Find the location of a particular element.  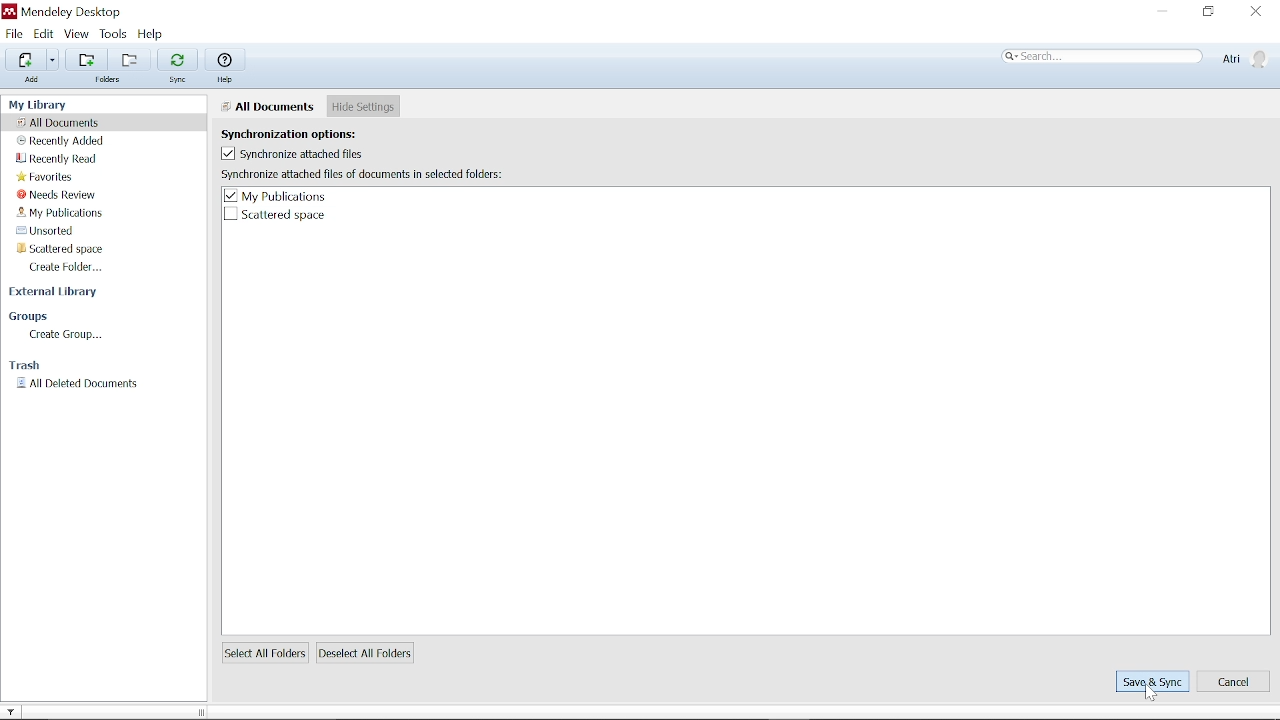

Add is located at coordinates (34, 83).